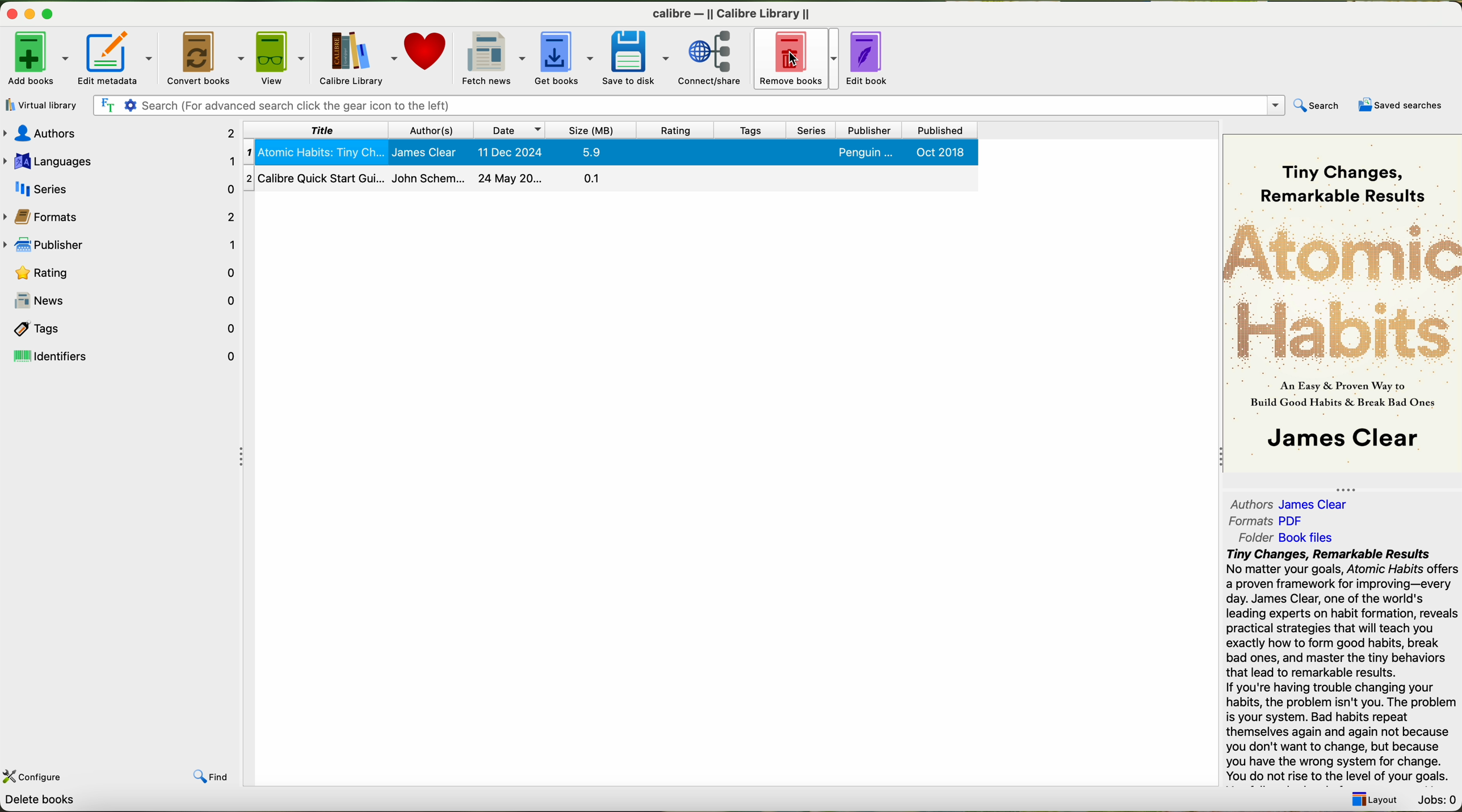  What do you see at coordinates (1342, 305) in the screenshot?
I see `book cover preview` at bounding box center [1342, 305].